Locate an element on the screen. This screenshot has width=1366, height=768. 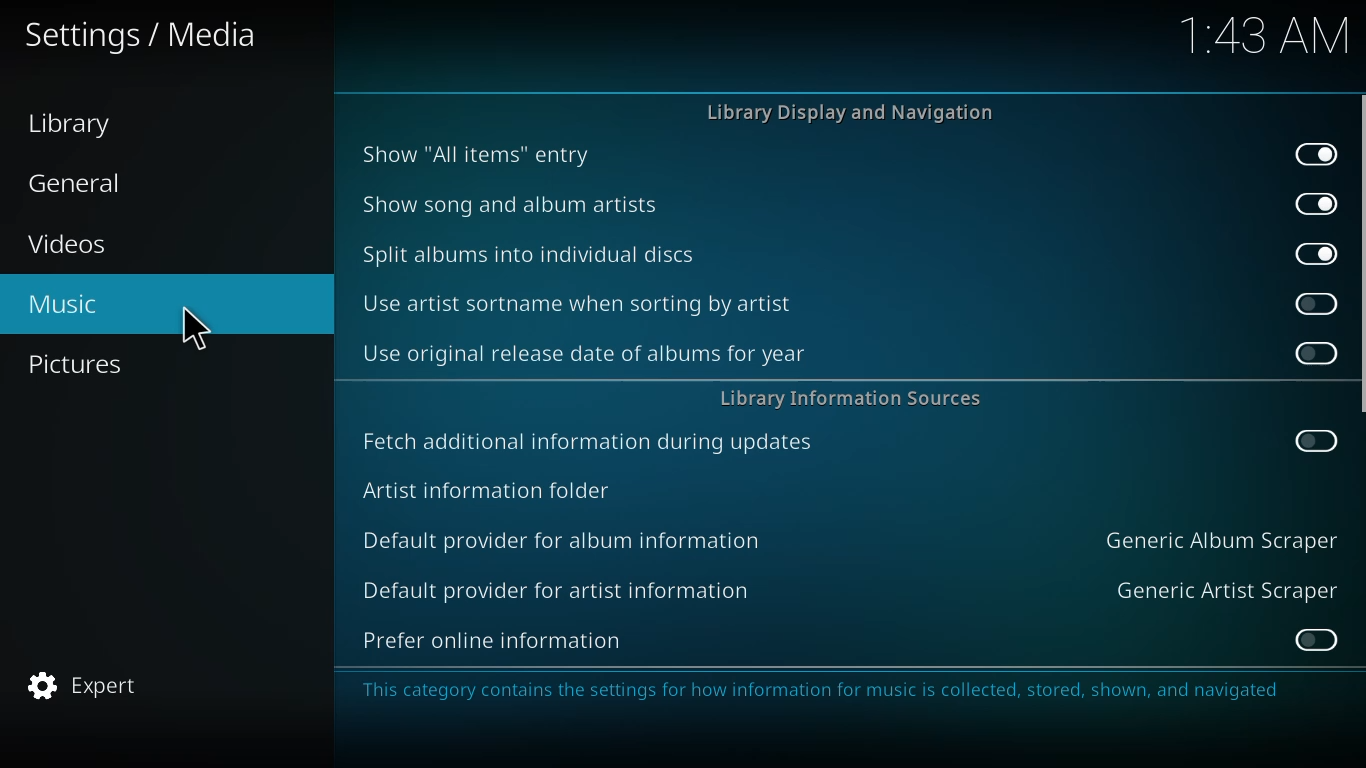
enable is located at coordinates (1315, 354).